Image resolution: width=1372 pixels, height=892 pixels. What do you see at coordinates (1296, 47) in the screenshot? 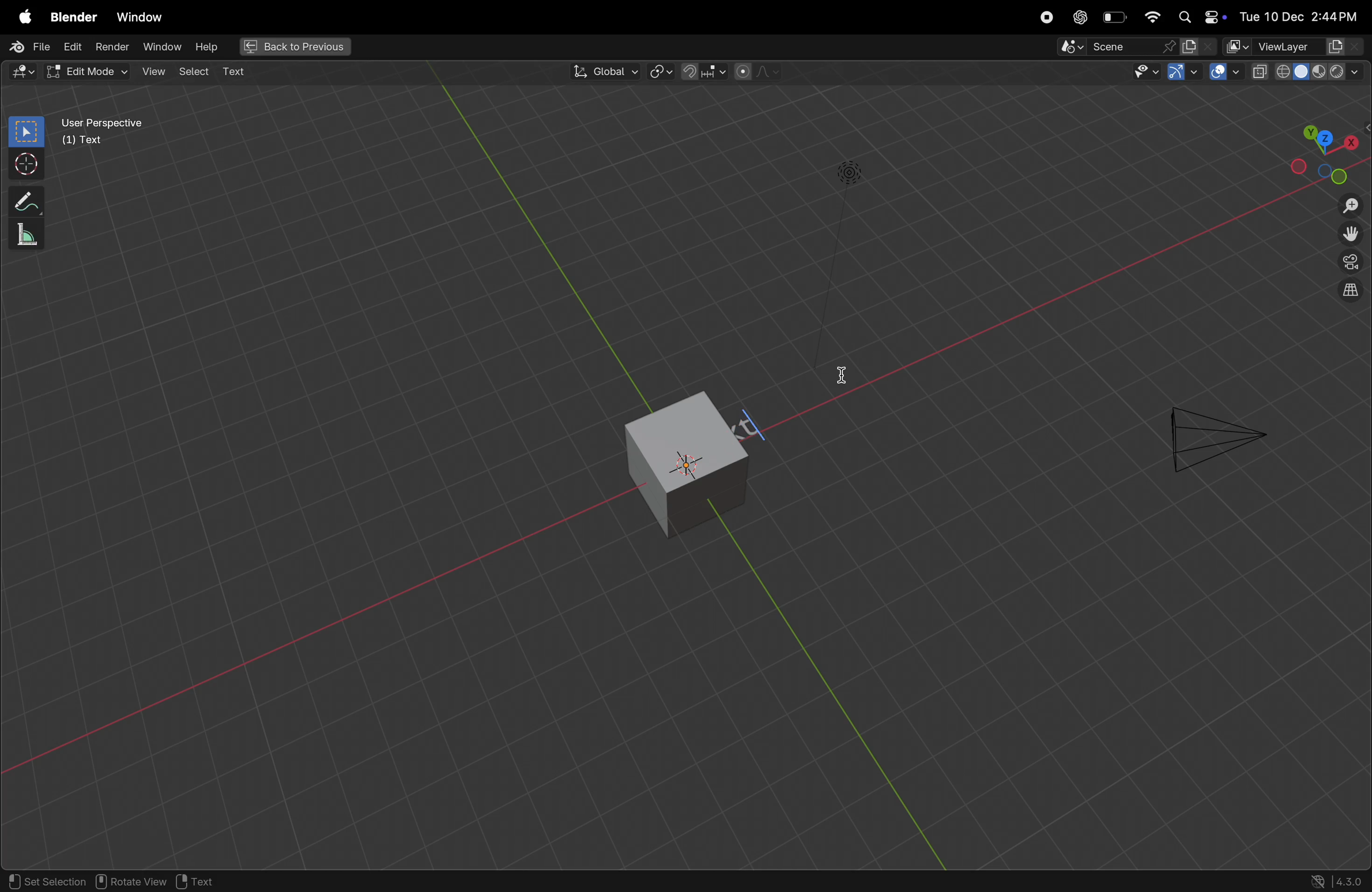
I see `View layer` at bounding box center [1296, 47].